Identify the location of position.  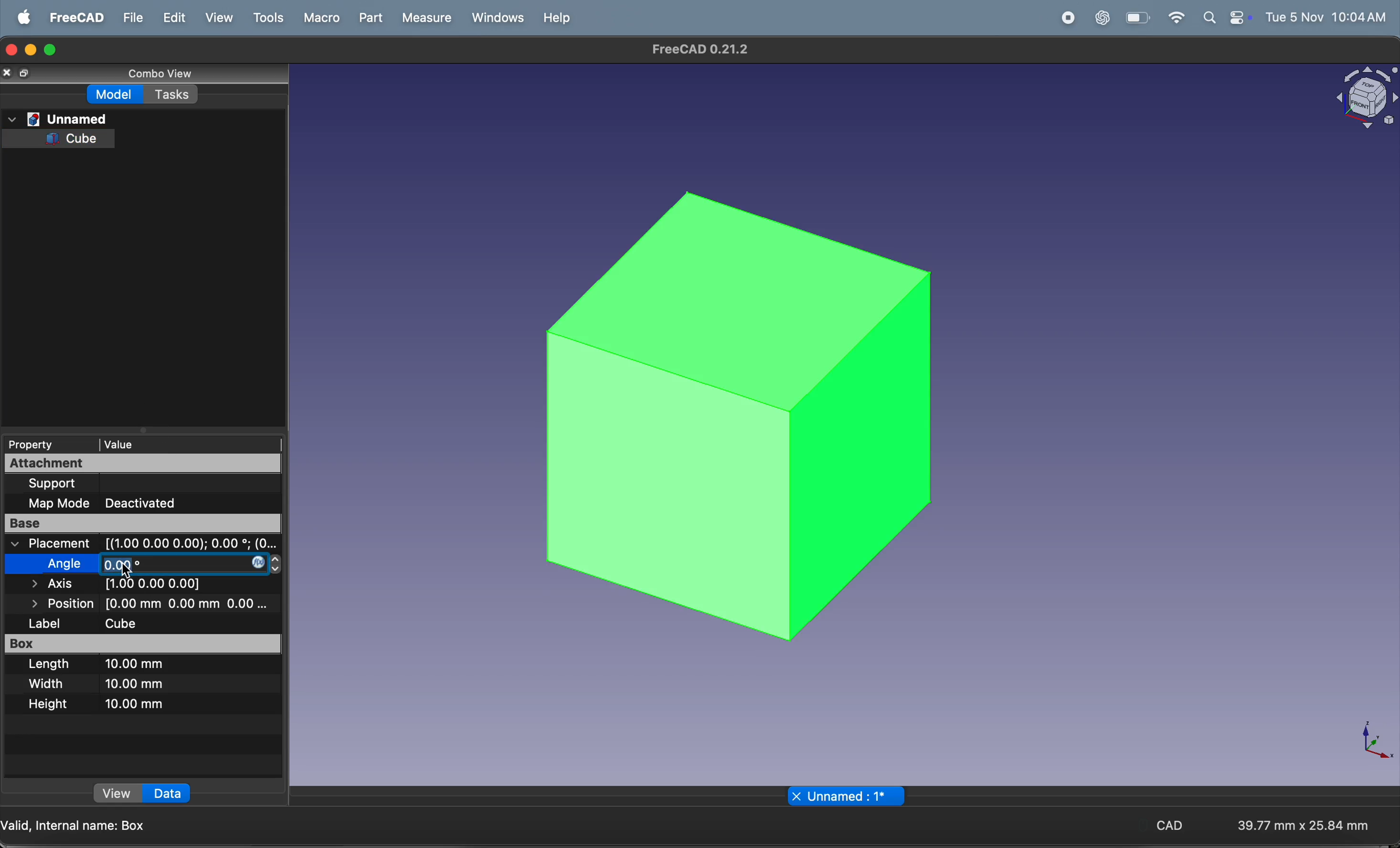
(55, 604).